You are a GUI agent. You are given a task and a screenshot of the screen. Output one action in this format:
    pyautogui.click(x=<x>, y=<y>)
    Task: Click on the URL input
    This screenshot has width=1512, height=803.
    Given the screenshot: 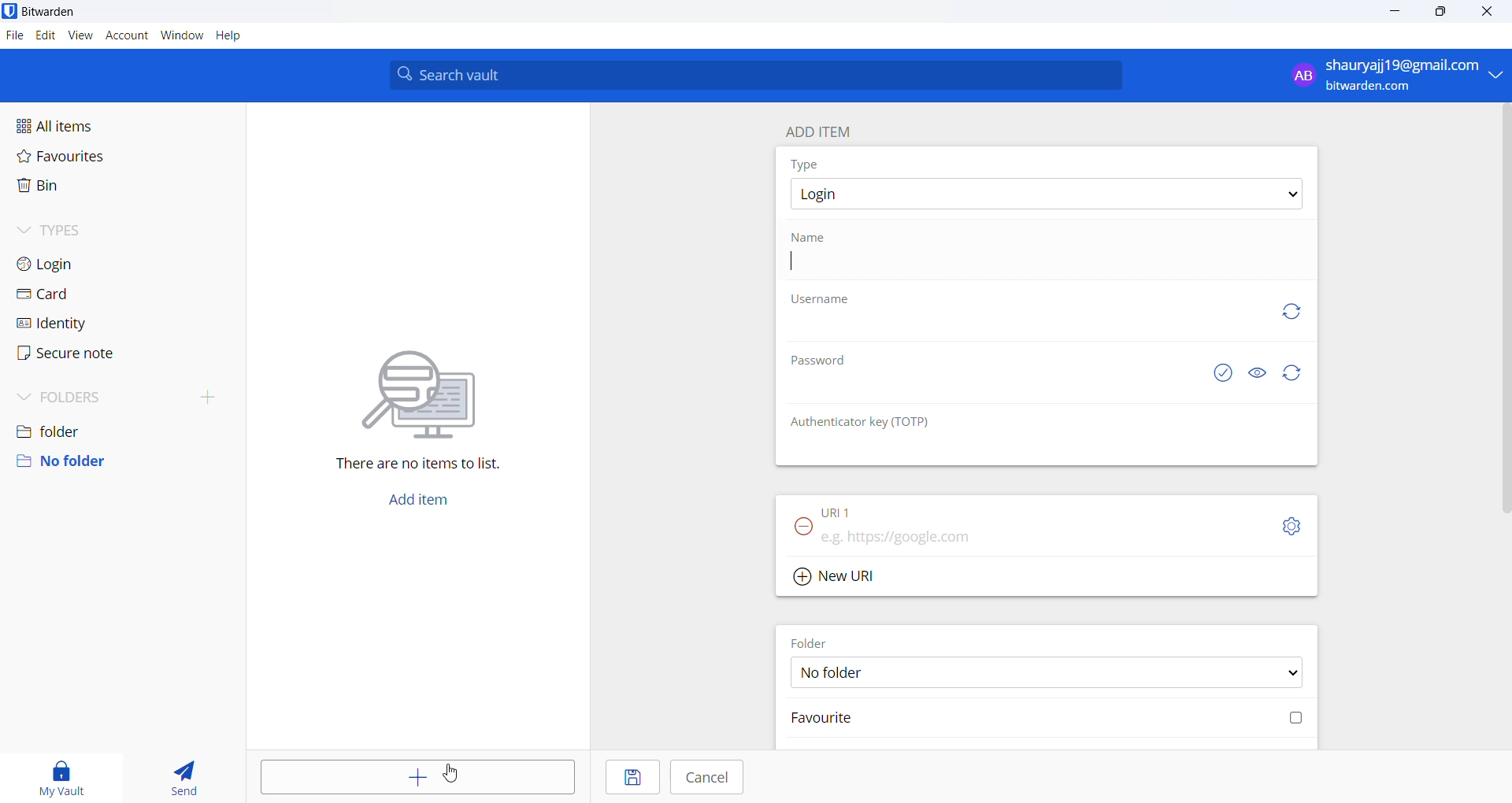 What is the action you would take?
    pyautogui.click(x=1014, y=537)
    